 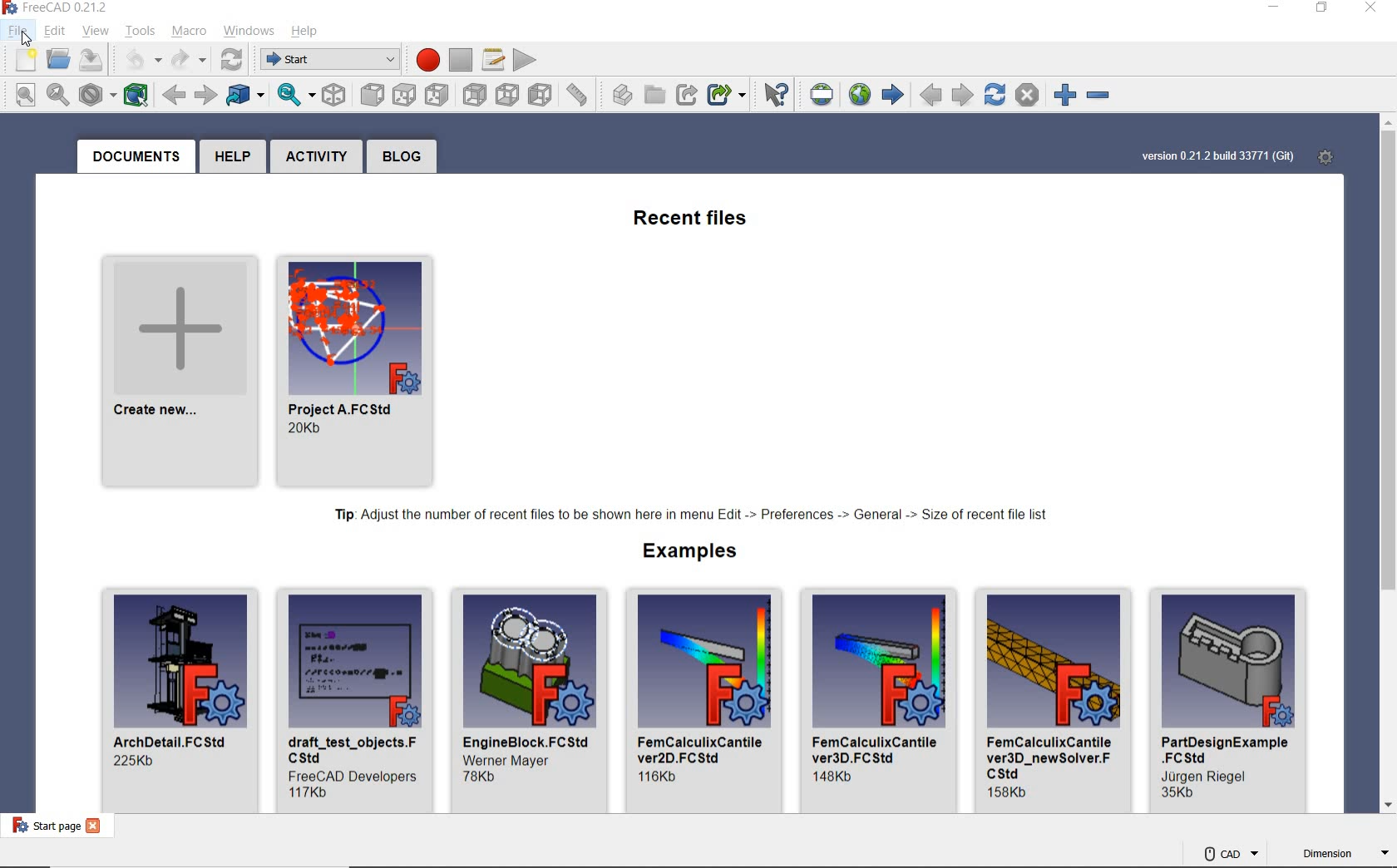 I want to click on image, so click(x=880, y=659).